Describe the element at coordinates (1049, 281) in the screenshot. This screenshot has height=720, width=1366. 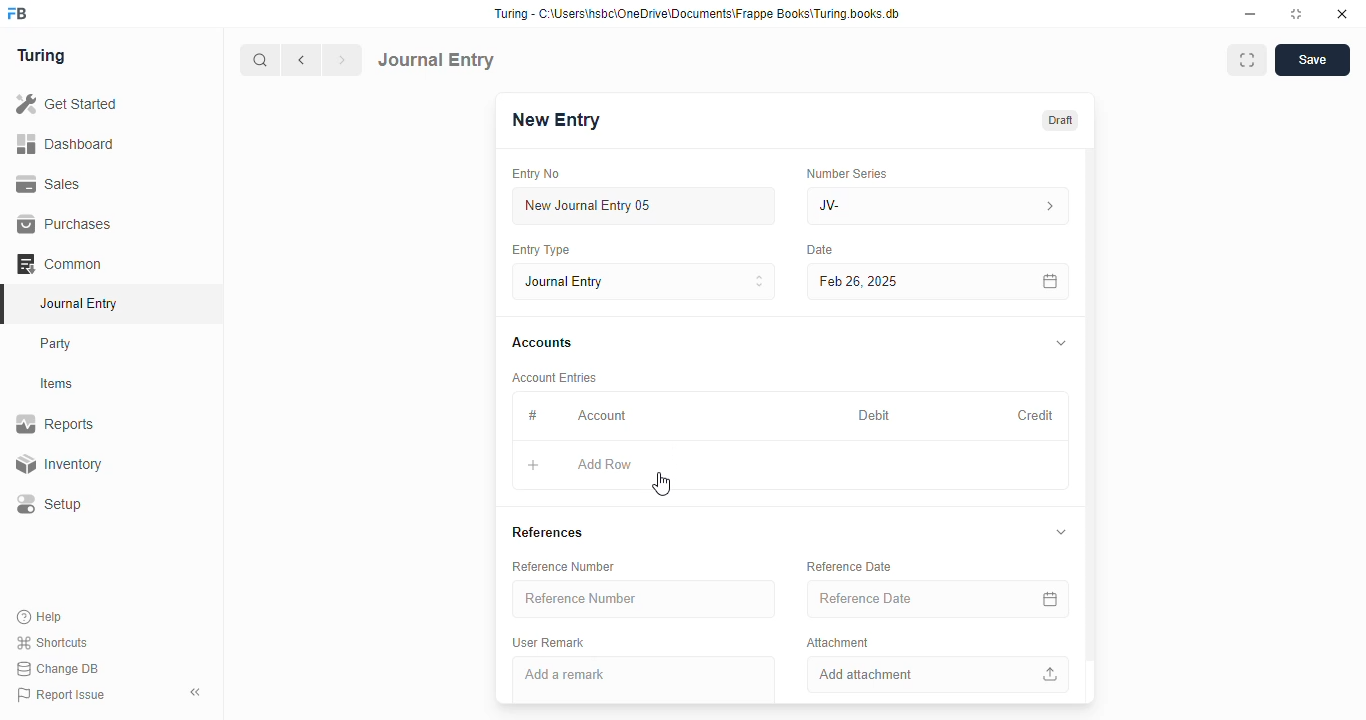
I see `calendar icon` at that location.